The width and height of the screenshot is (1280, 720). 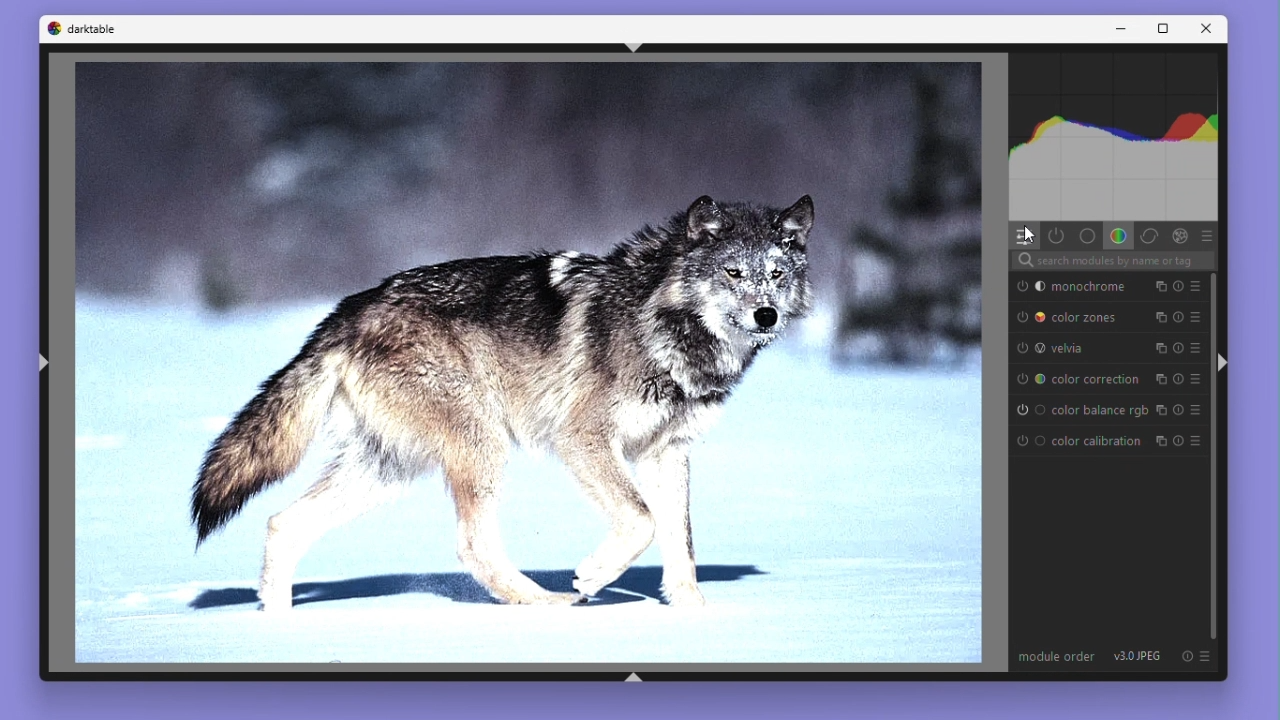 I want to click on reset, so click(x=1177, y=287).